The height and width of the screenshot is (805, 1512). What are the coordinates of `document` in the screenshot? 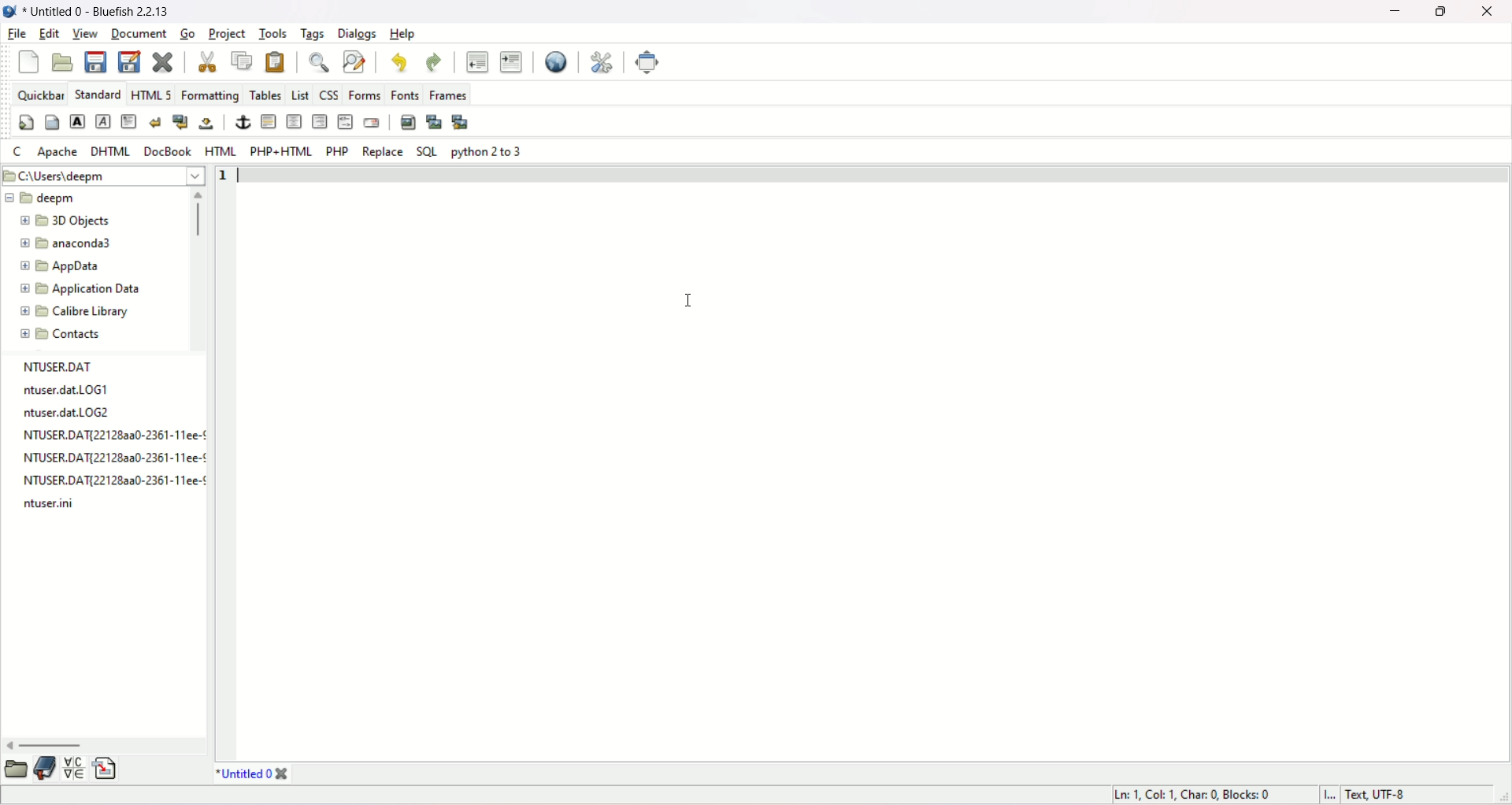 It's located at (138, 35).